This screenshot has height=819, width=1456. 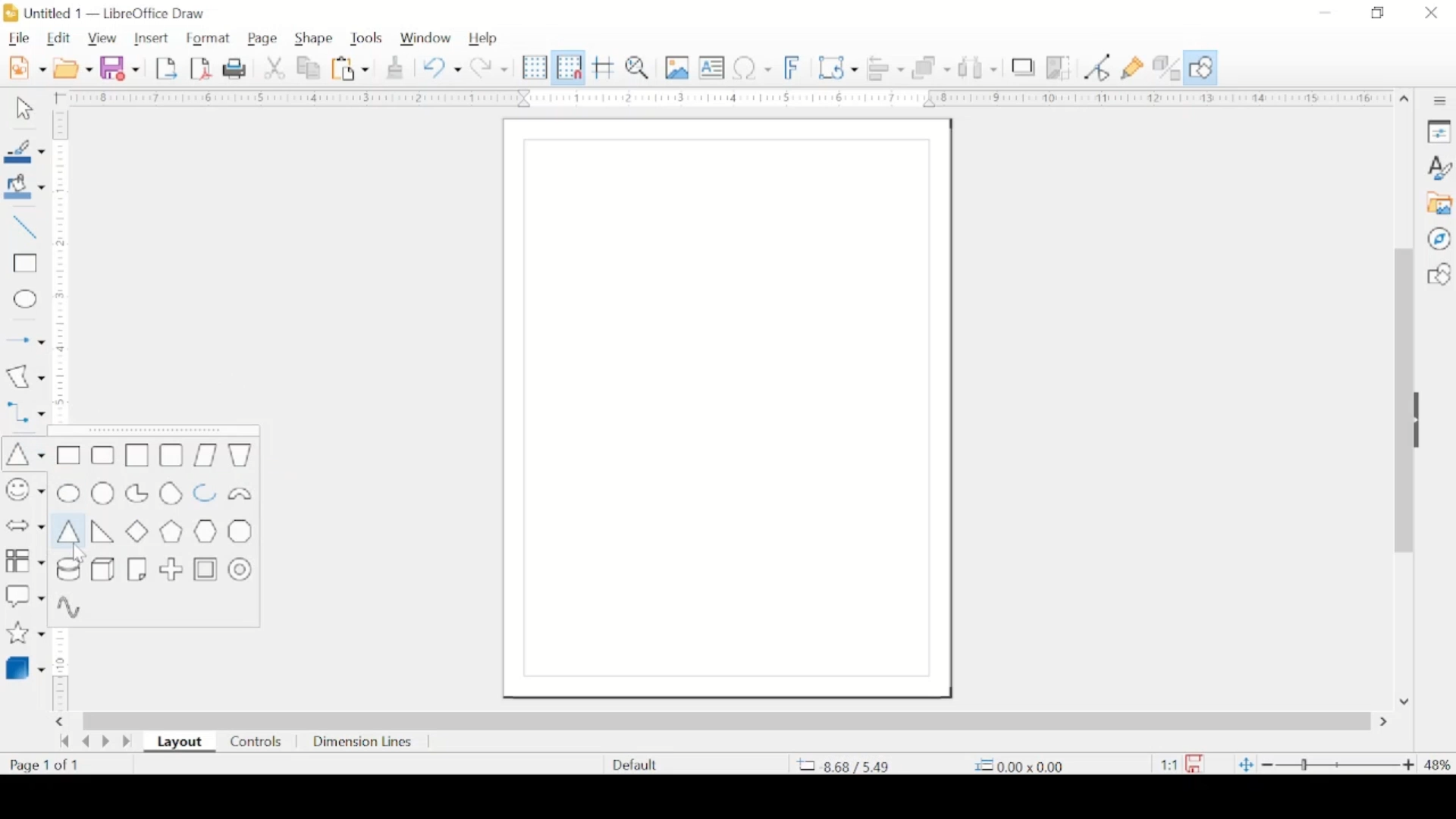 I want to click on right triangle, so click(x=102, y=532).